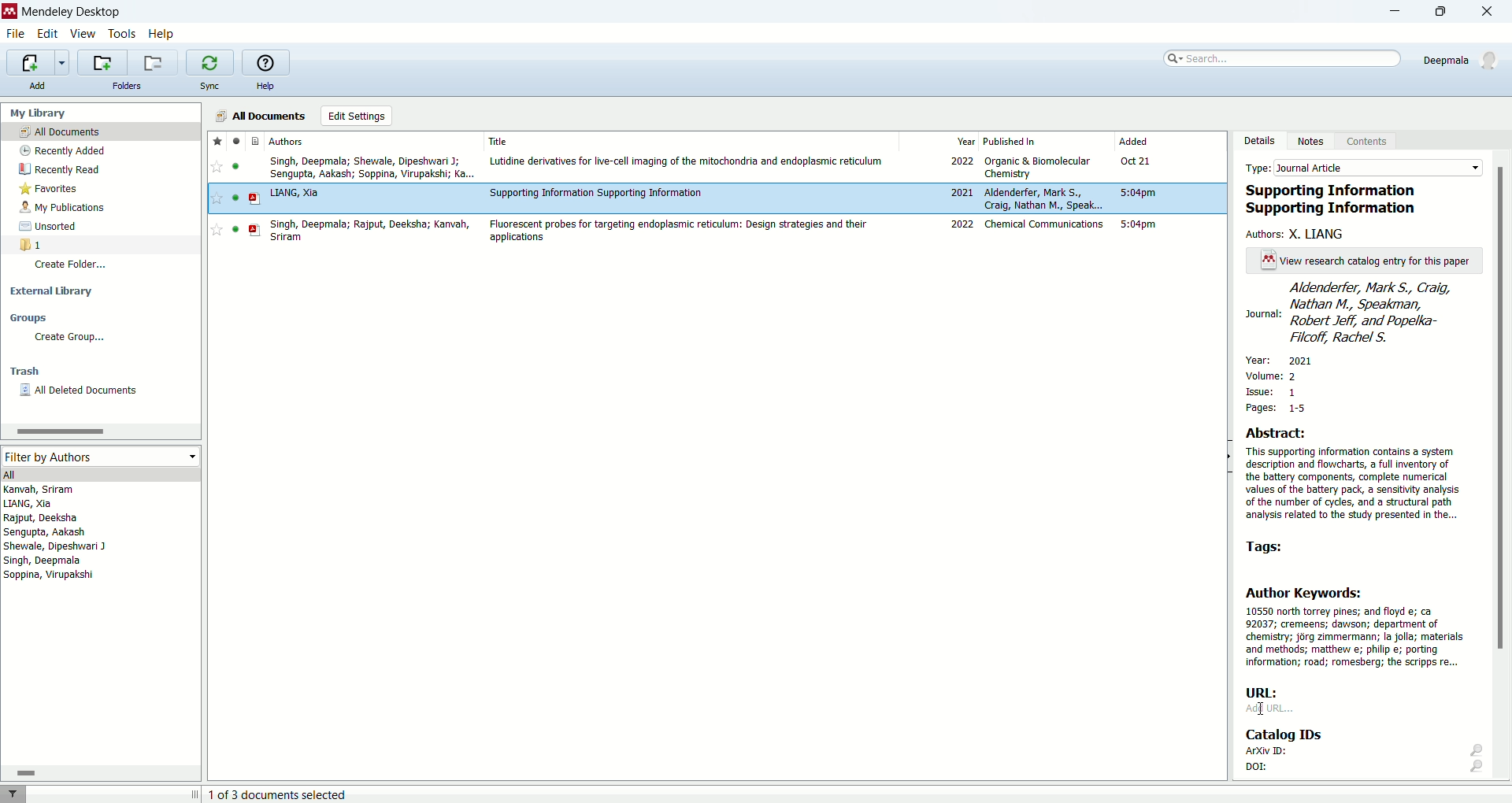 The image size is (1512, 803). What do you see at coordinates (50, 574) in the screenshot?
I see `soppina, virupakshi` at bounding box center [50, 574].